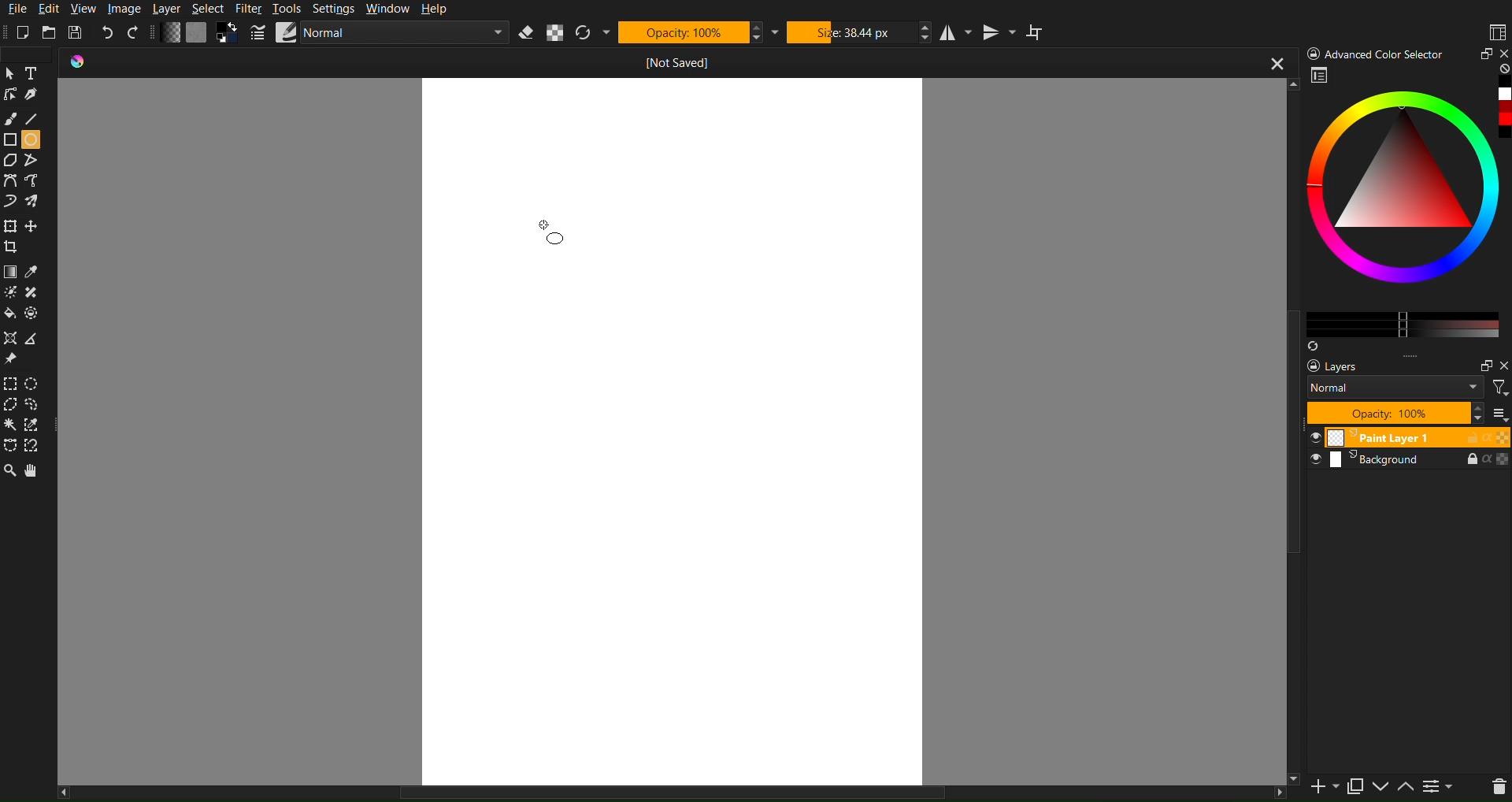 This screenshot has width=1512, height=802. Describe the element at coordinates (80, 33) in the screenshot. I see `Save` at that location.